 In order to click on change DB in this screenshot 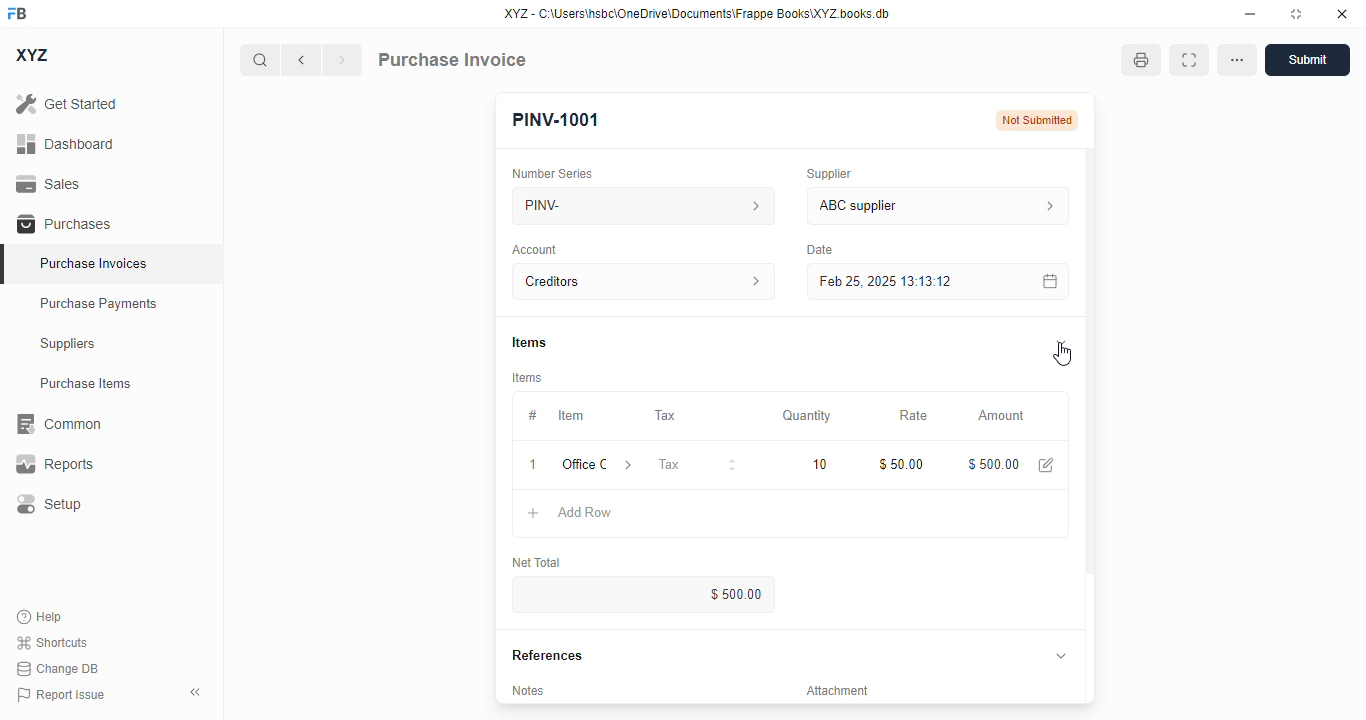, I will do `click(57, 669)`.